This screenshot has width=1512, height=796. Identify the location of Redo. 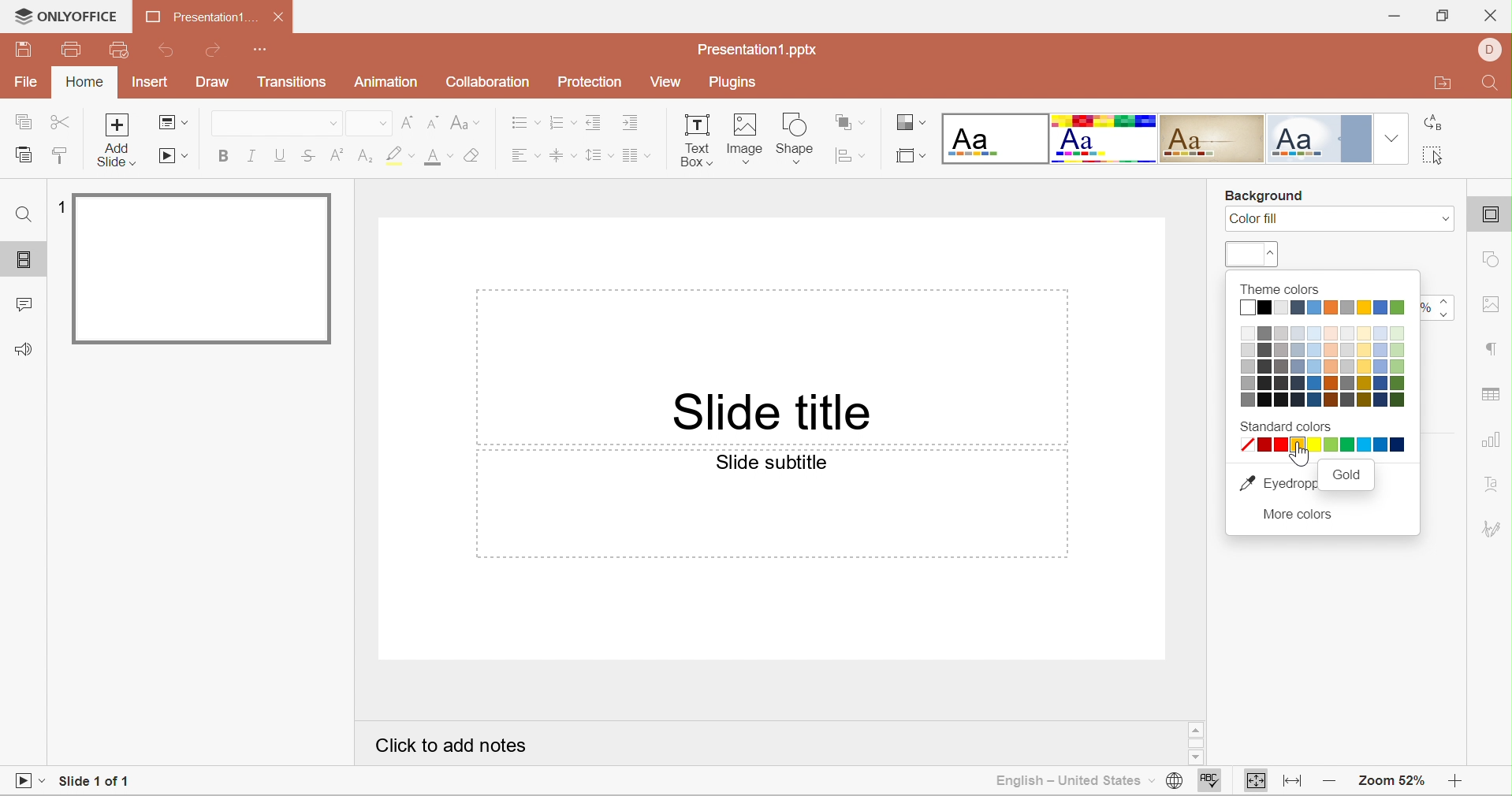
(216, 51).